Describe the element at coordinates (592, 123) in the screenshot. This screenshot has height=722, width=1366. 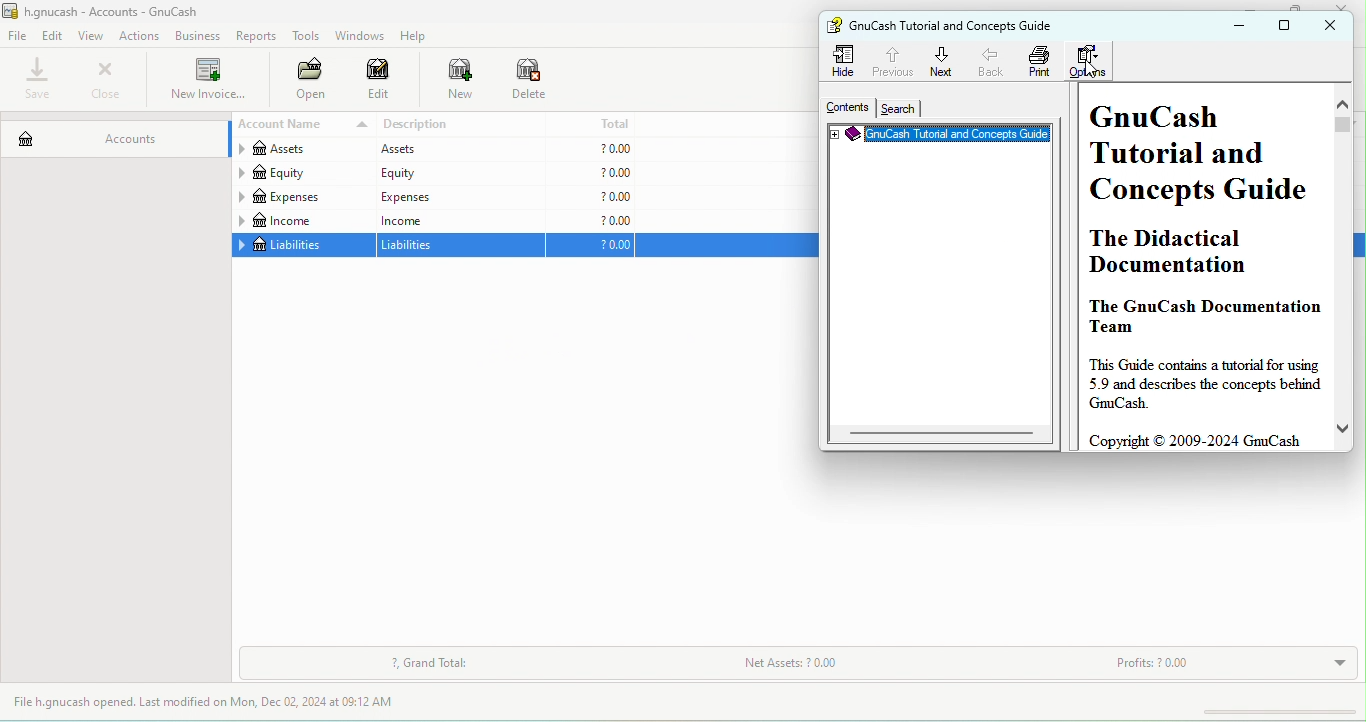
I see `total` at that location.